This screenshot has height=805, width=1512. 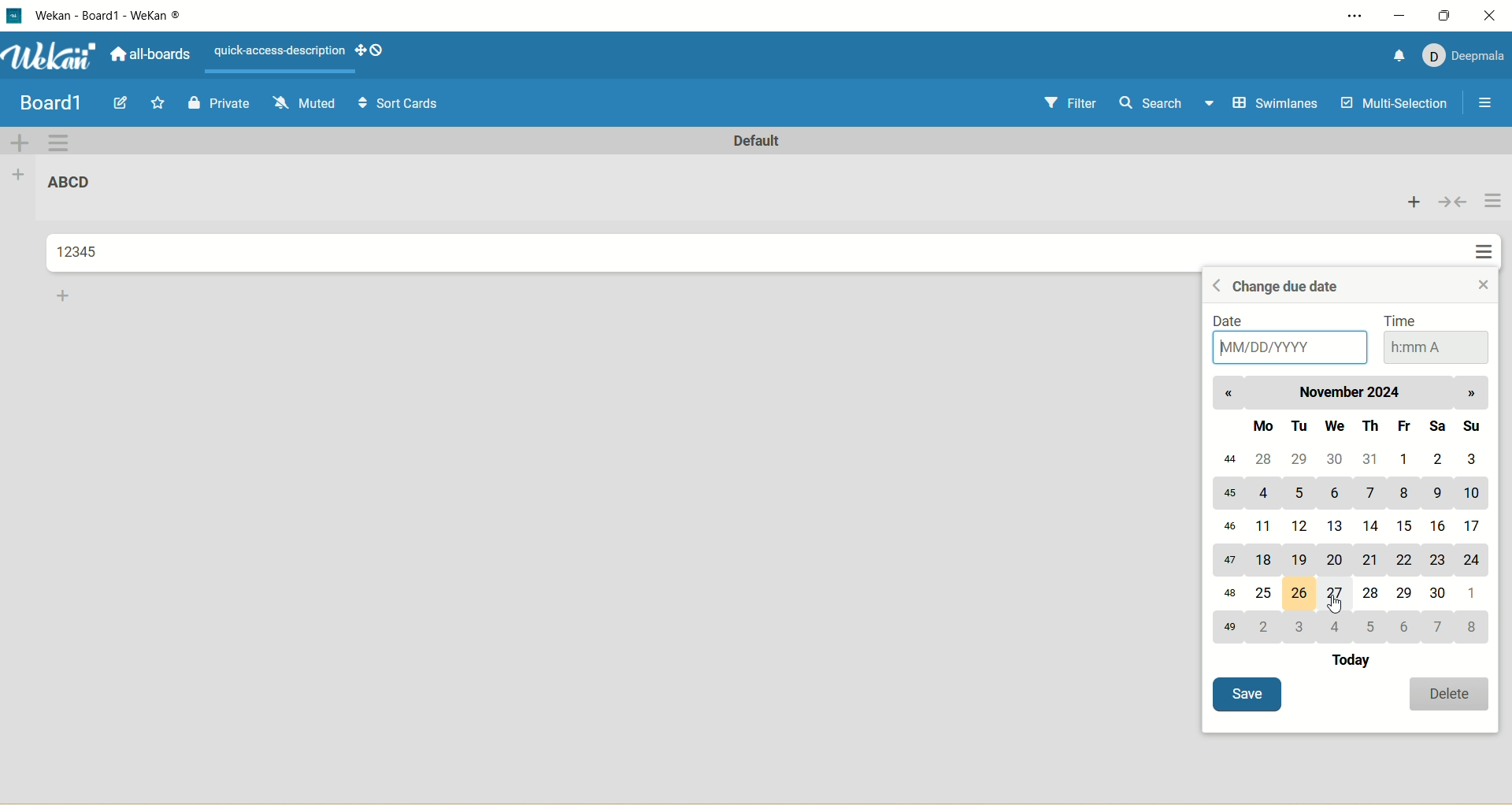 I want to click on account, so click(x=1466, y=58).